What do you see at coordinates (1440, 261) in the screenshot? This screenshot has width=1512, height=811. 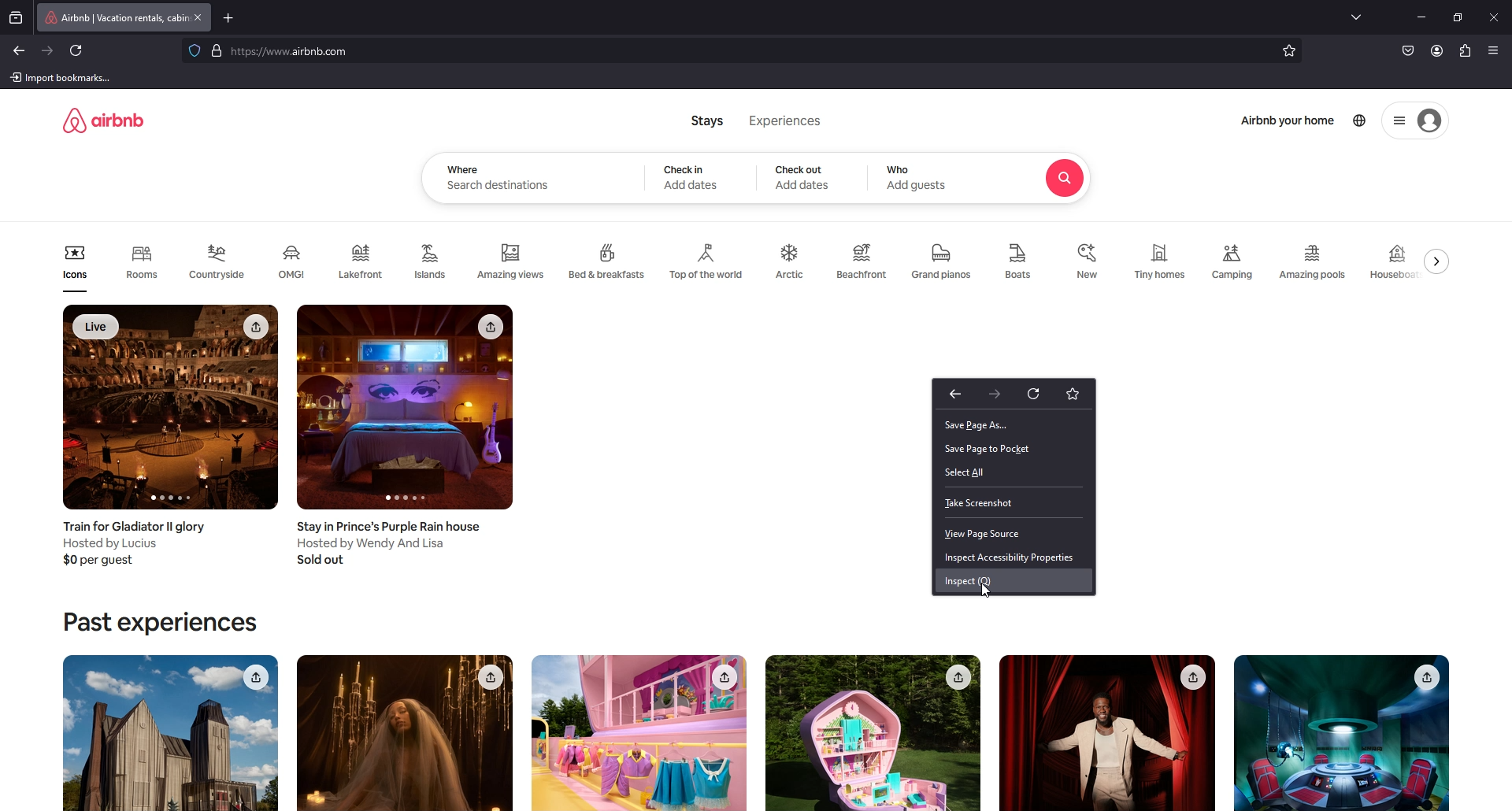 I see `swipe to right` at bounding box center [1440, 261].